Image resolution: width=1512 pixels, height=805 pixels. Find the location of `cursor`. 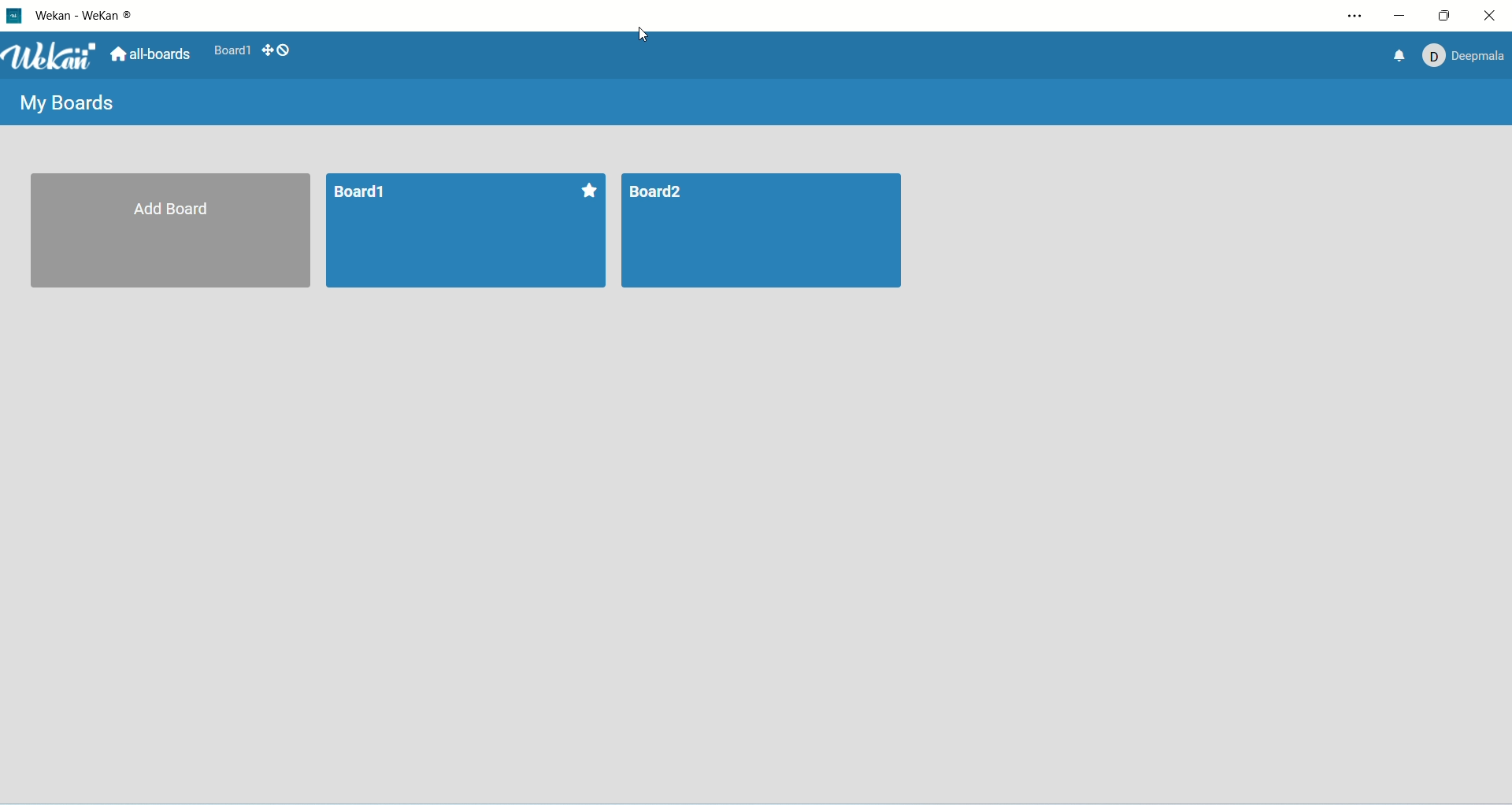

cursor is located at coordinates (647, 33).